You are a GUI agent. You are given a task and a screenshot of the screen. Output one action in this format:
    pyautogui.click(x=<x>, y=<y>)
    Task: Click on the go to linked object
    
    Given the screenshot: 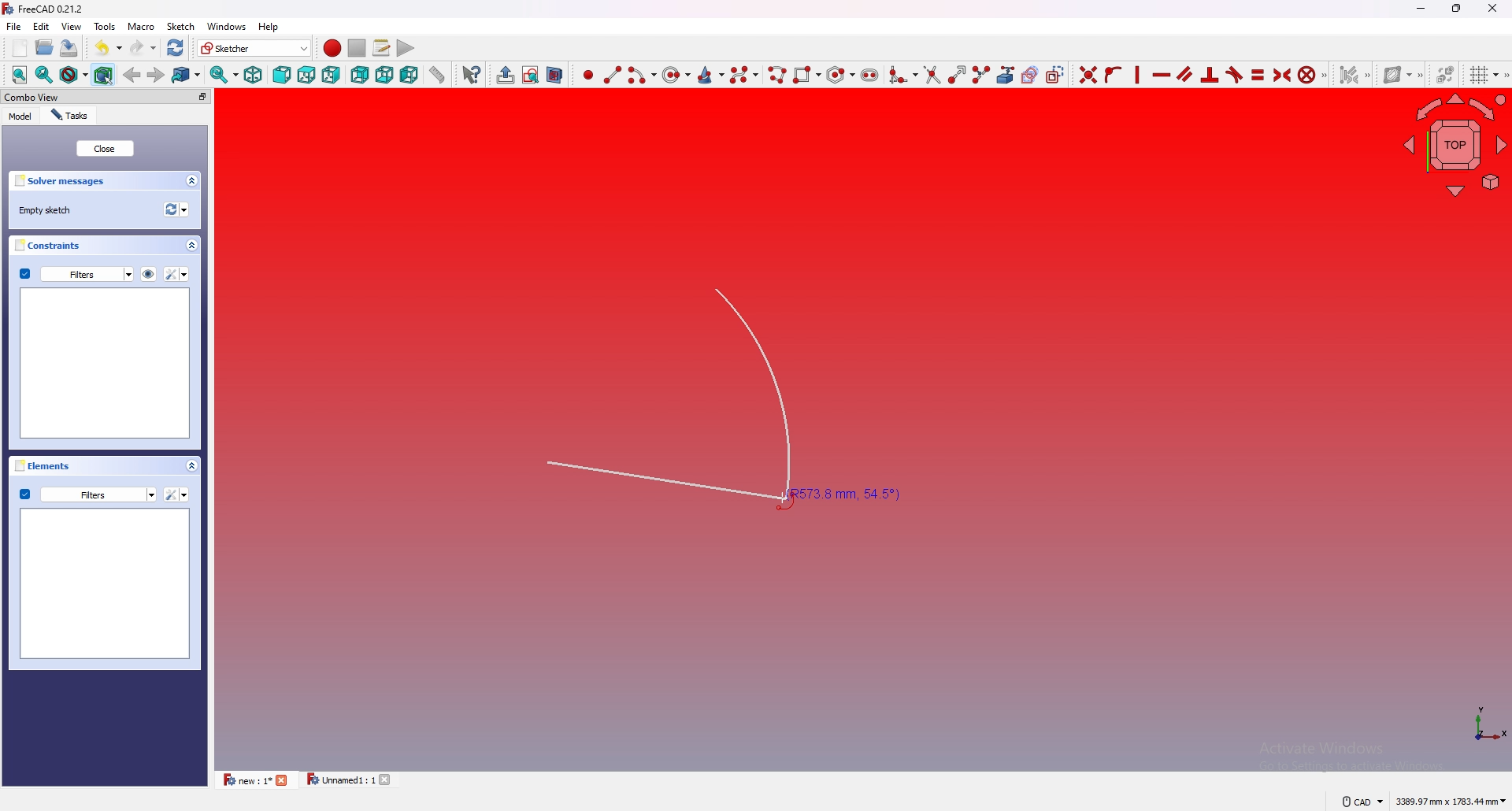 What is the action you would take?
    pyautogui.click(x=187, y=74)
    